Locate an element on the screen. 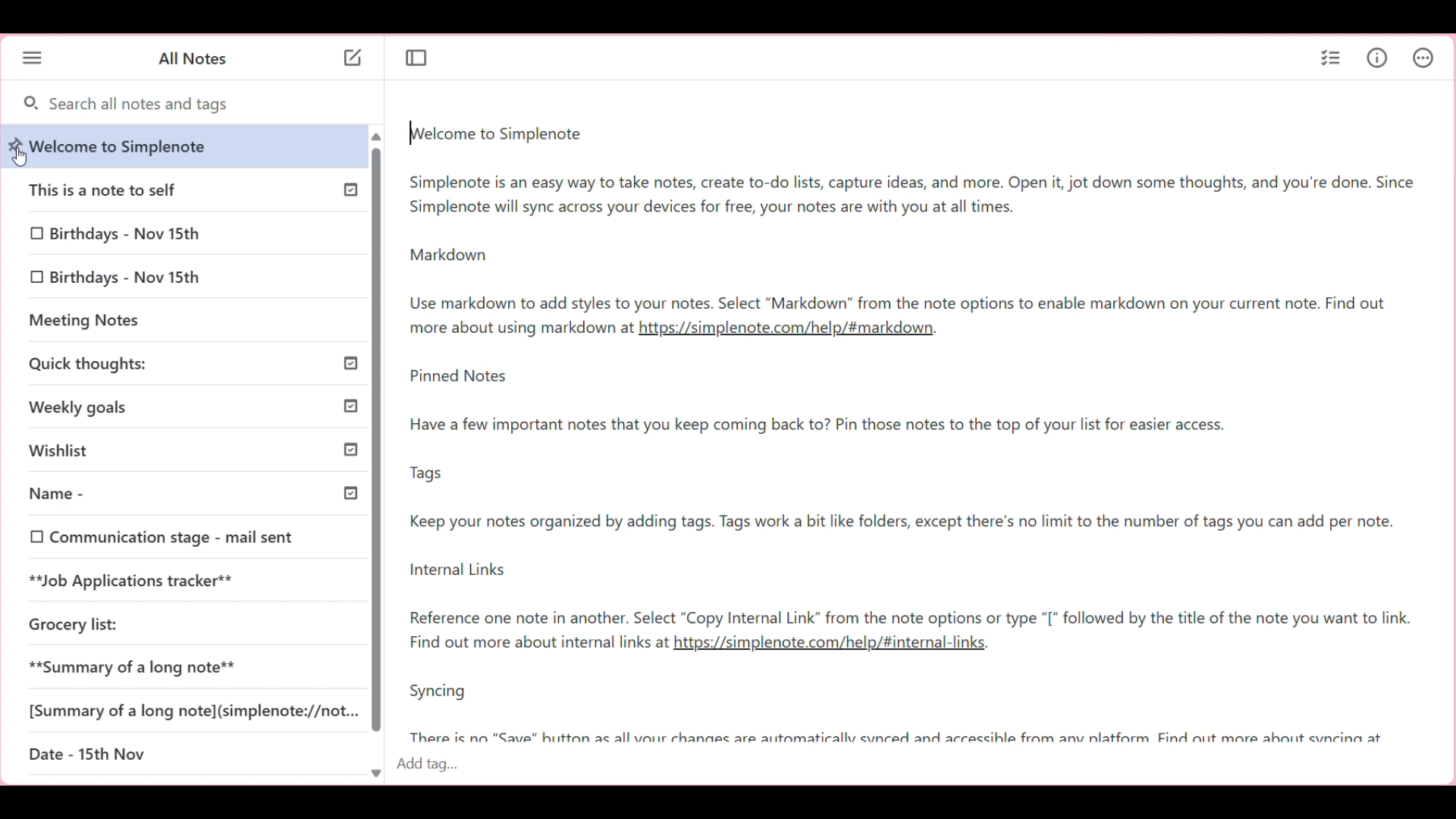  Meeting Notes is located at coordinates (121, 321).